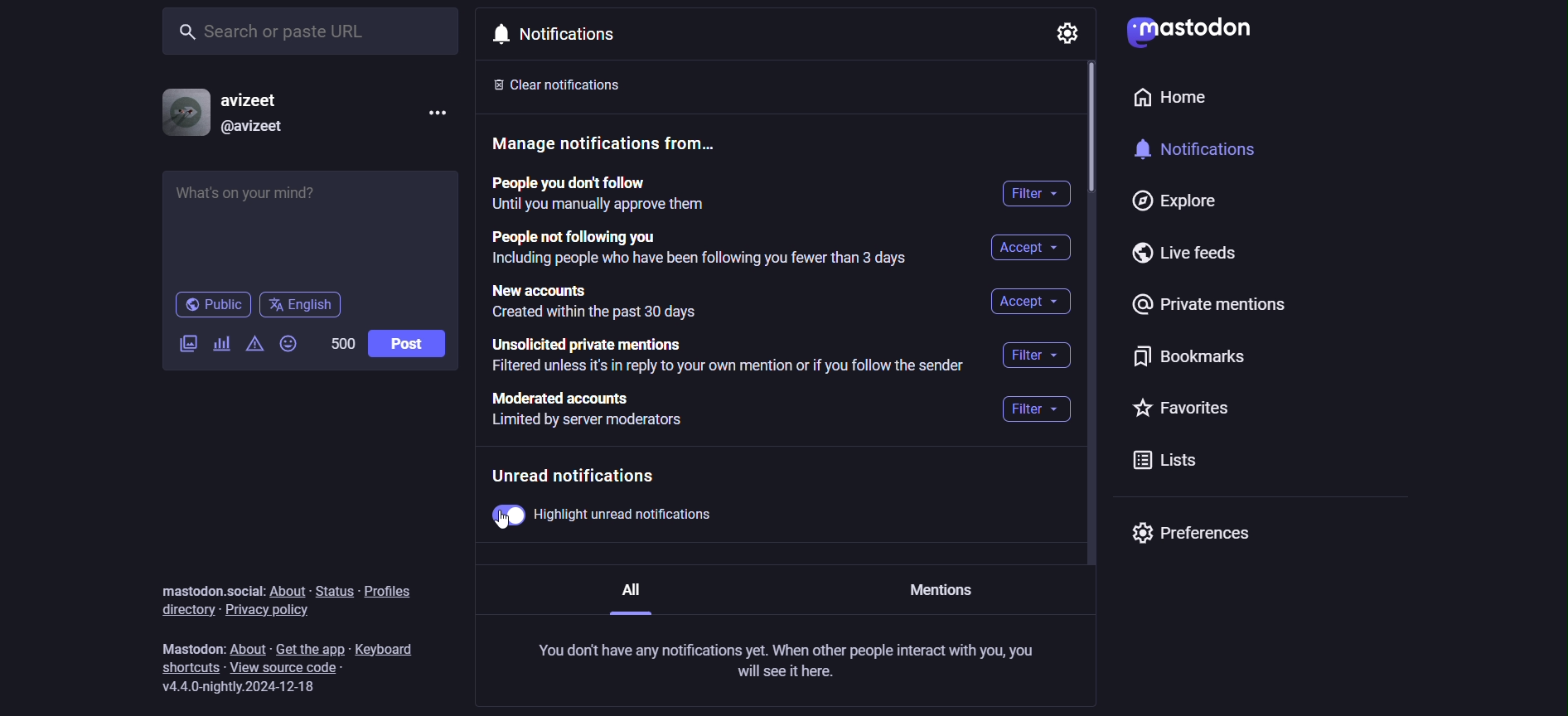  What do you see at coordinates (339, 342) in the screenshot?
I see `word limit` at bounding box center [339, 342].